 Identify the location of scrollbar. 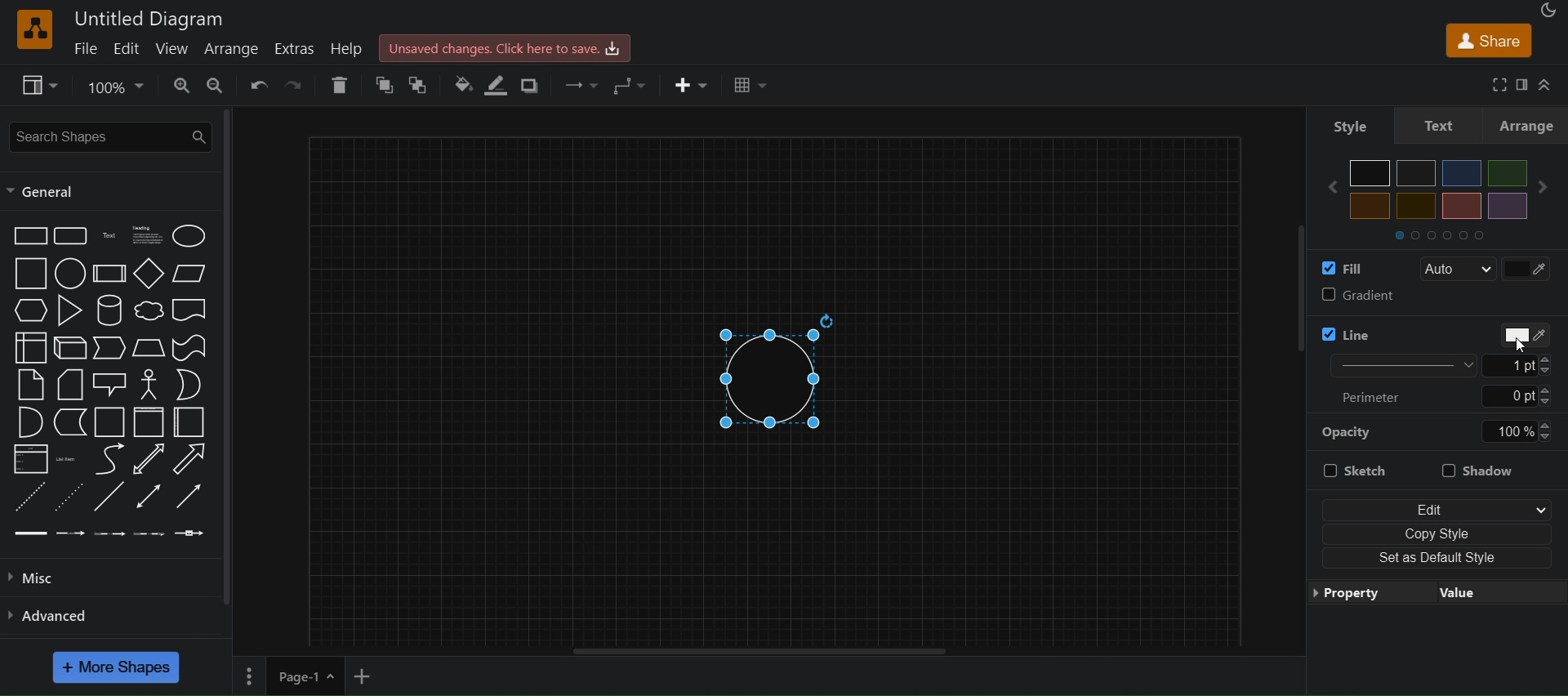
(229, 358).